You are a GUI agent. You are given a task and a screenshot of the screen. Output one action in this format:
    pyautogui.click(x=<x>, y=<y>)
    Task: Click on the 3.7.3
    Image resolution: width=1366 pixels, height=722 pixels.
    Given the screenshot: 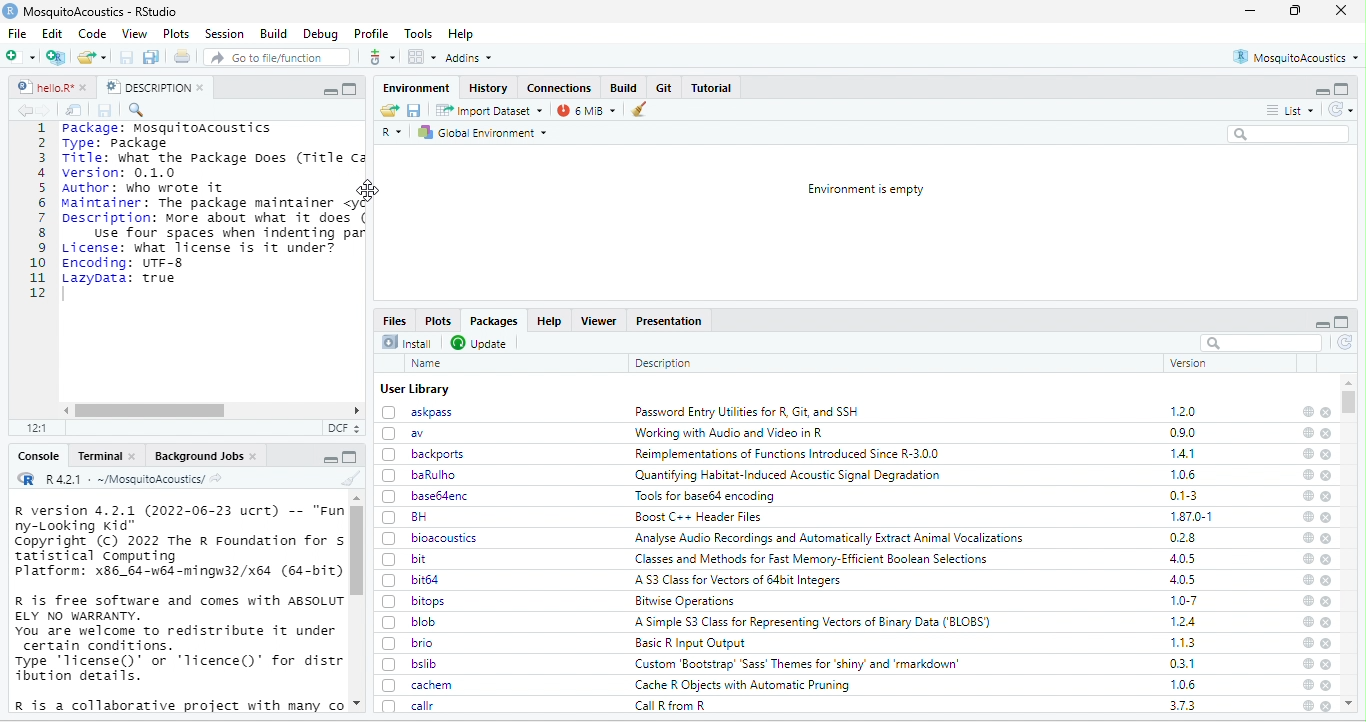 What is the action you would take?
    pyautogui.click(x=1183, y=705)
    